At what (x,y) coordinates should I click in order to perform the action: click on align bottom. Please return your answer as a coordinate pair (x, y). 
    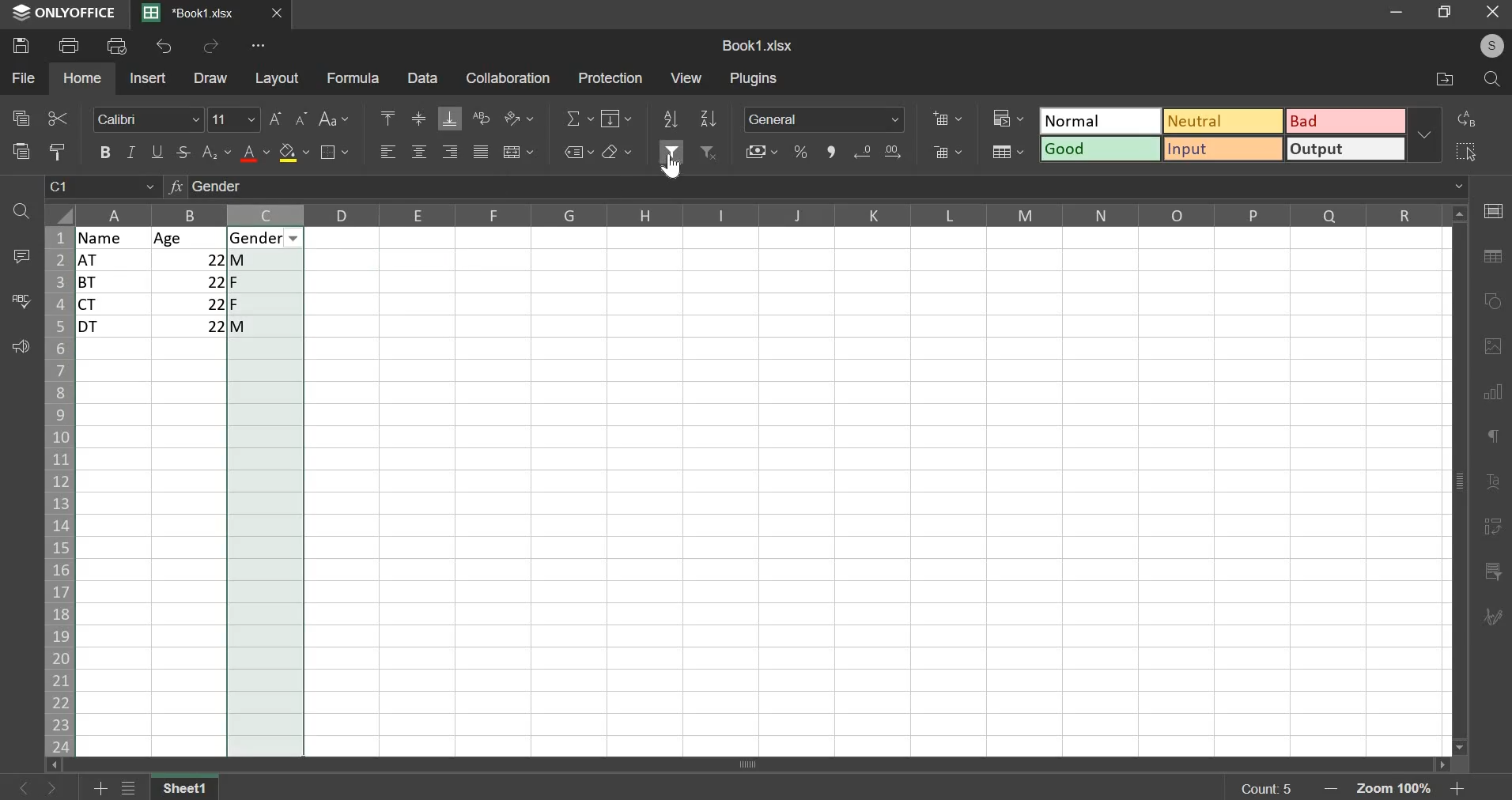
    Looking at the image, I should click on (449, 119).